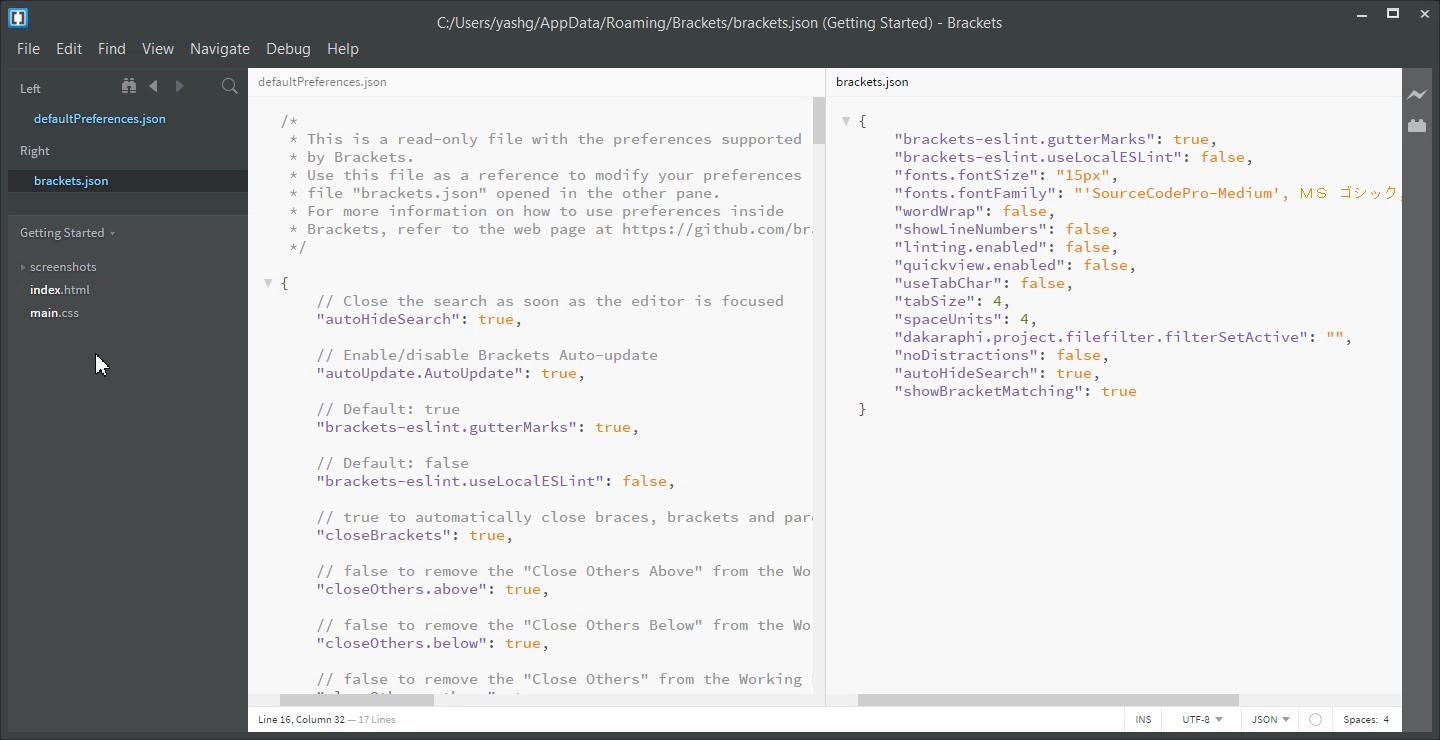  What do you see at coordinates (36, 151) in the screenshot?
I see `Right` at bounding box center [36, 151].